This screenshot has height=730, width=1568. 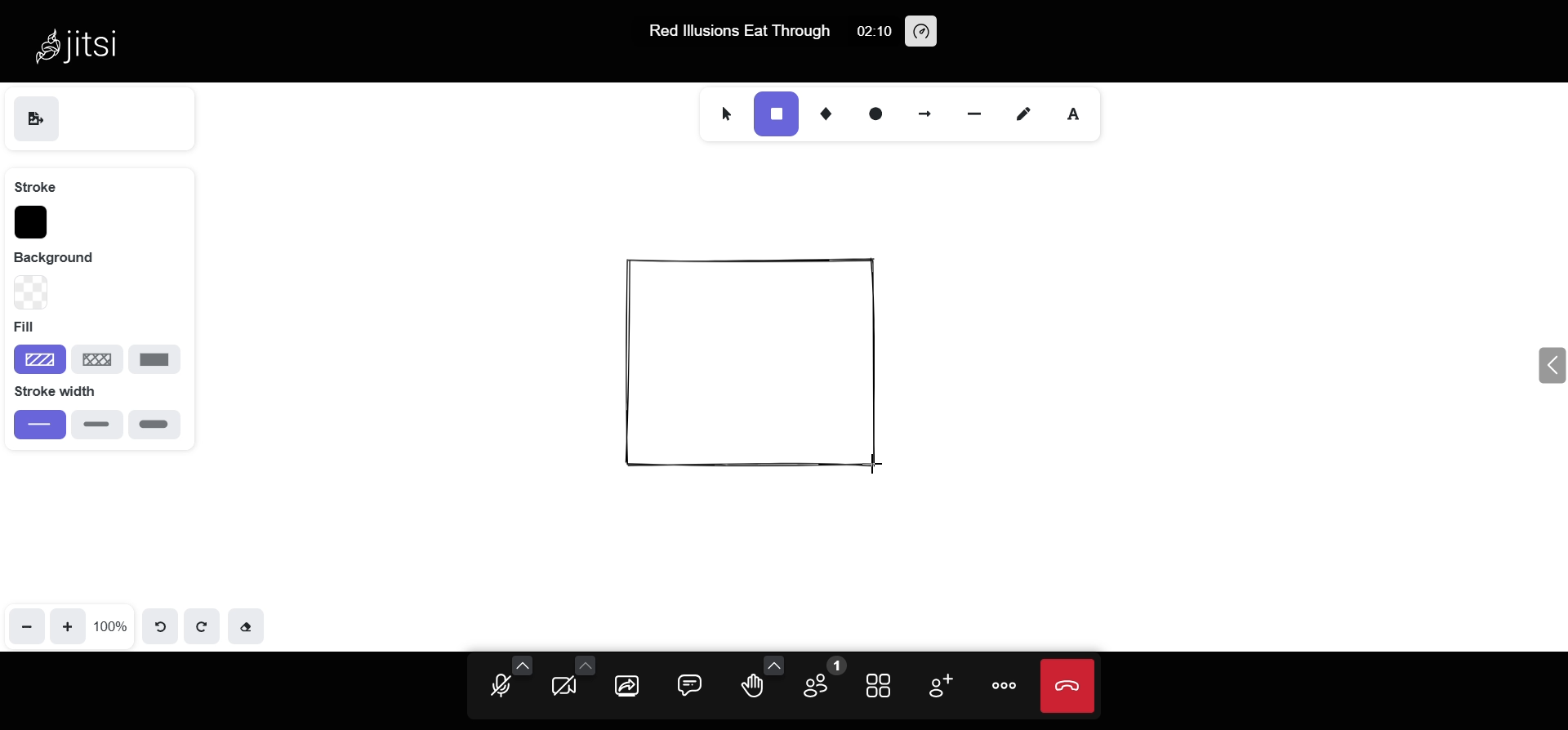 I want to click on diamond, so click(x=830, y=113).